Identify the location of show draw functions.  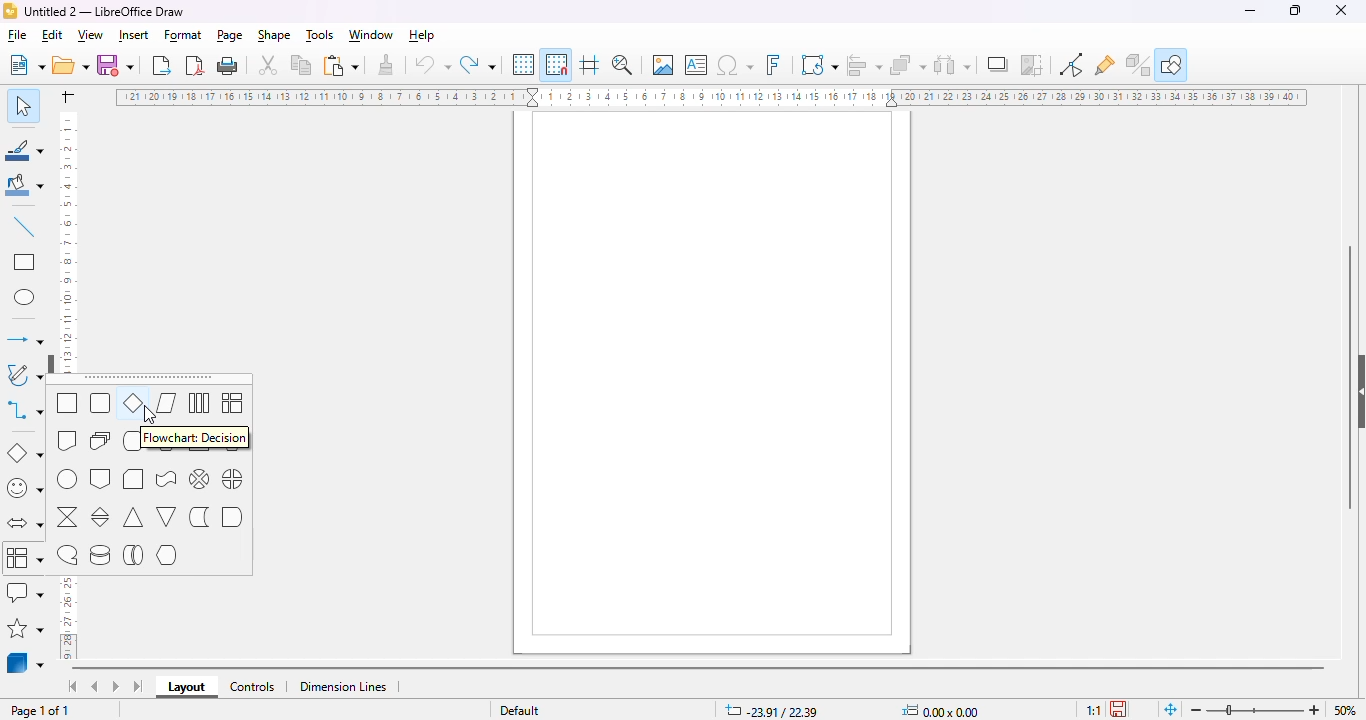
(1171, 64).